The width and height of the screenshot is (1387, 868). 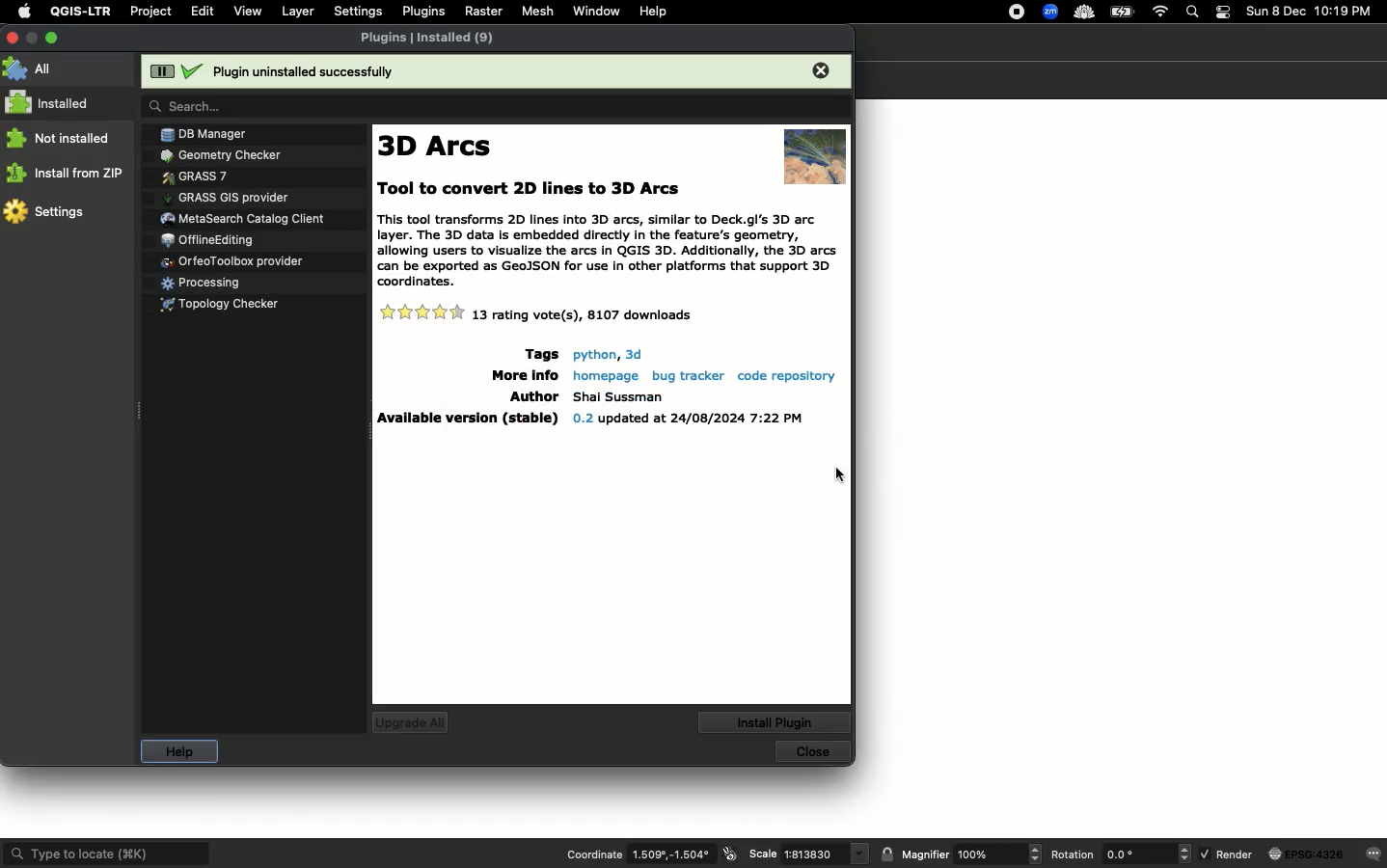 What do you see at coordinates (596, 11) in the screenshot?
I see `Window` at bounding box center [596, 11].